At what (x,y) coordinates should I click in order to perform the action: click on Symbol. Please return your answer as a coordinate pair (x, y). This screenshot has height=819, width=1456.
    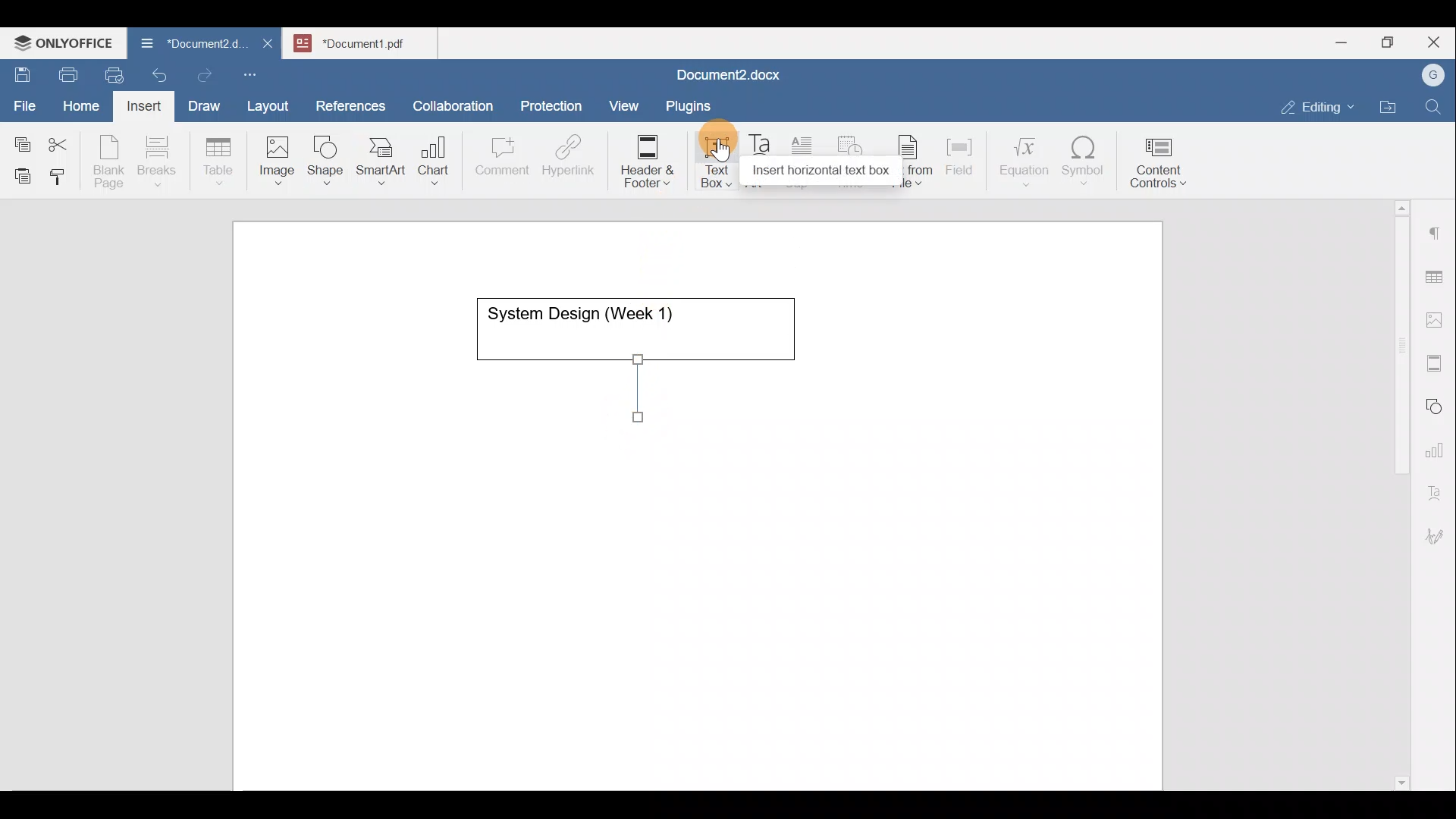
    Looking at the image, I should click on (1084, 165).